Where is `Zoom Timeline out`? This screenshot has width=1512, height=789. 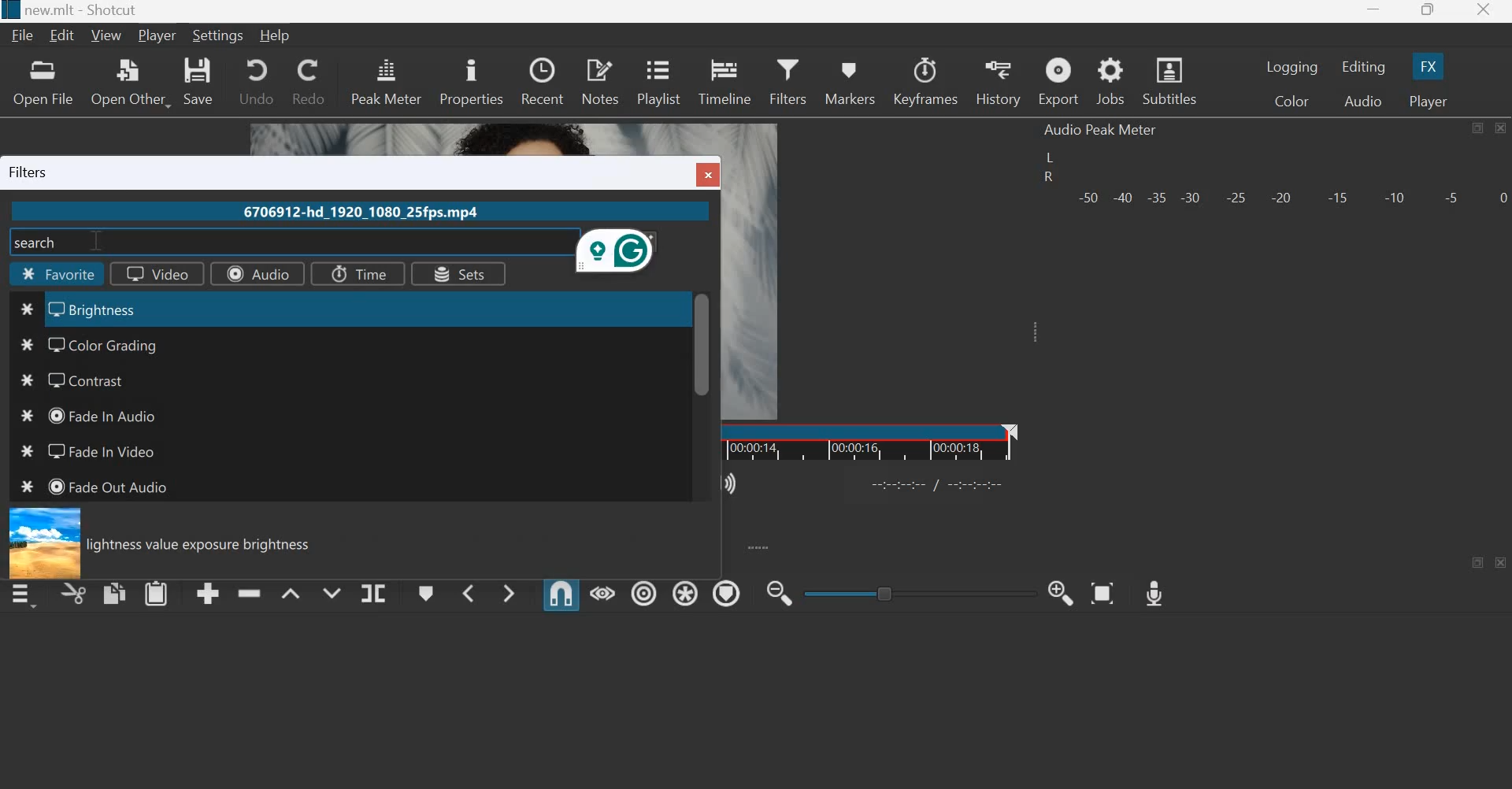
Zoom Timeline out is located at coordinates (778, 595).